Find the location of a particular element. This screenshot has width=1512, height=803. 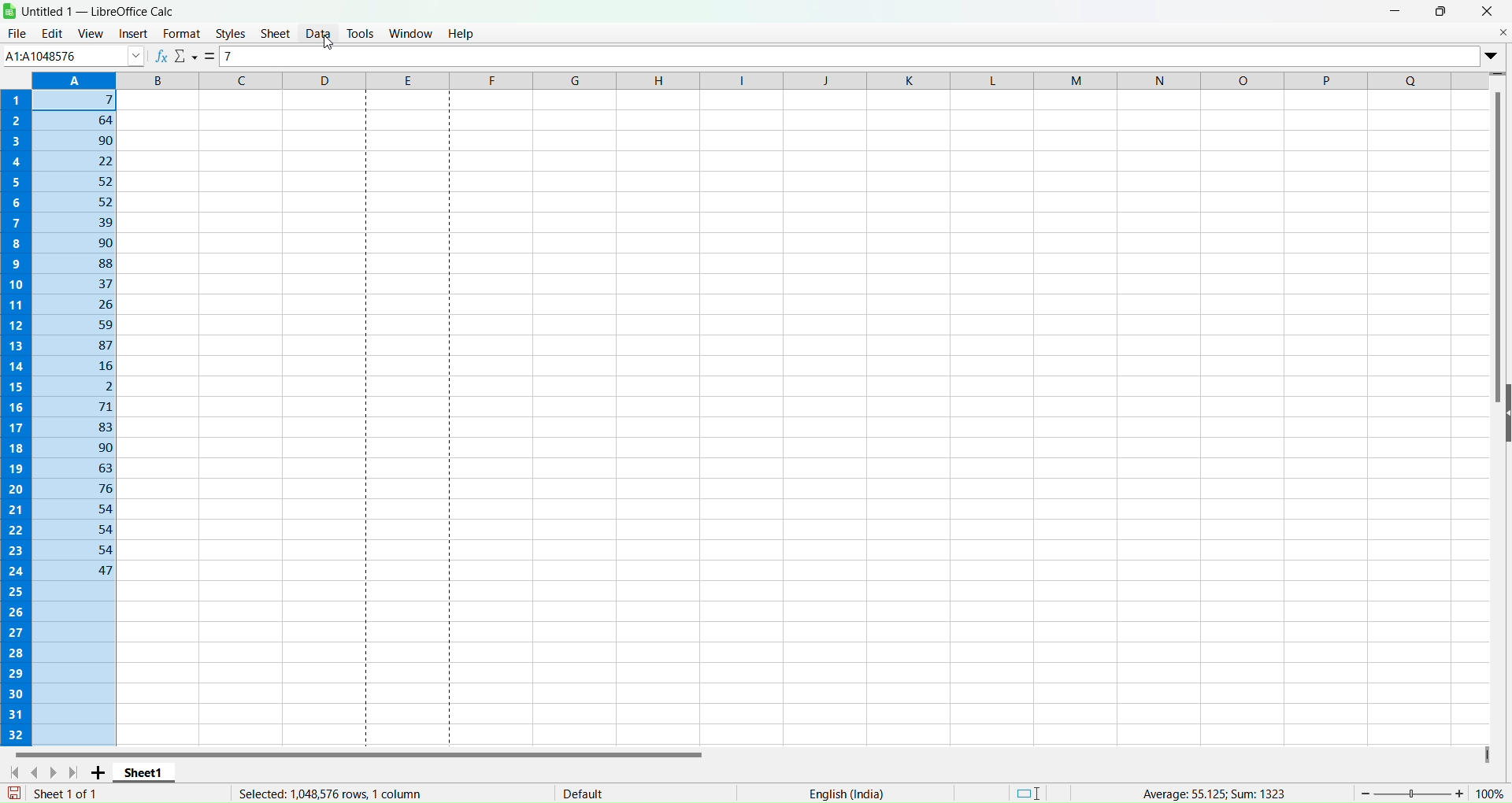

Styles is located at coordinates (231, 34).